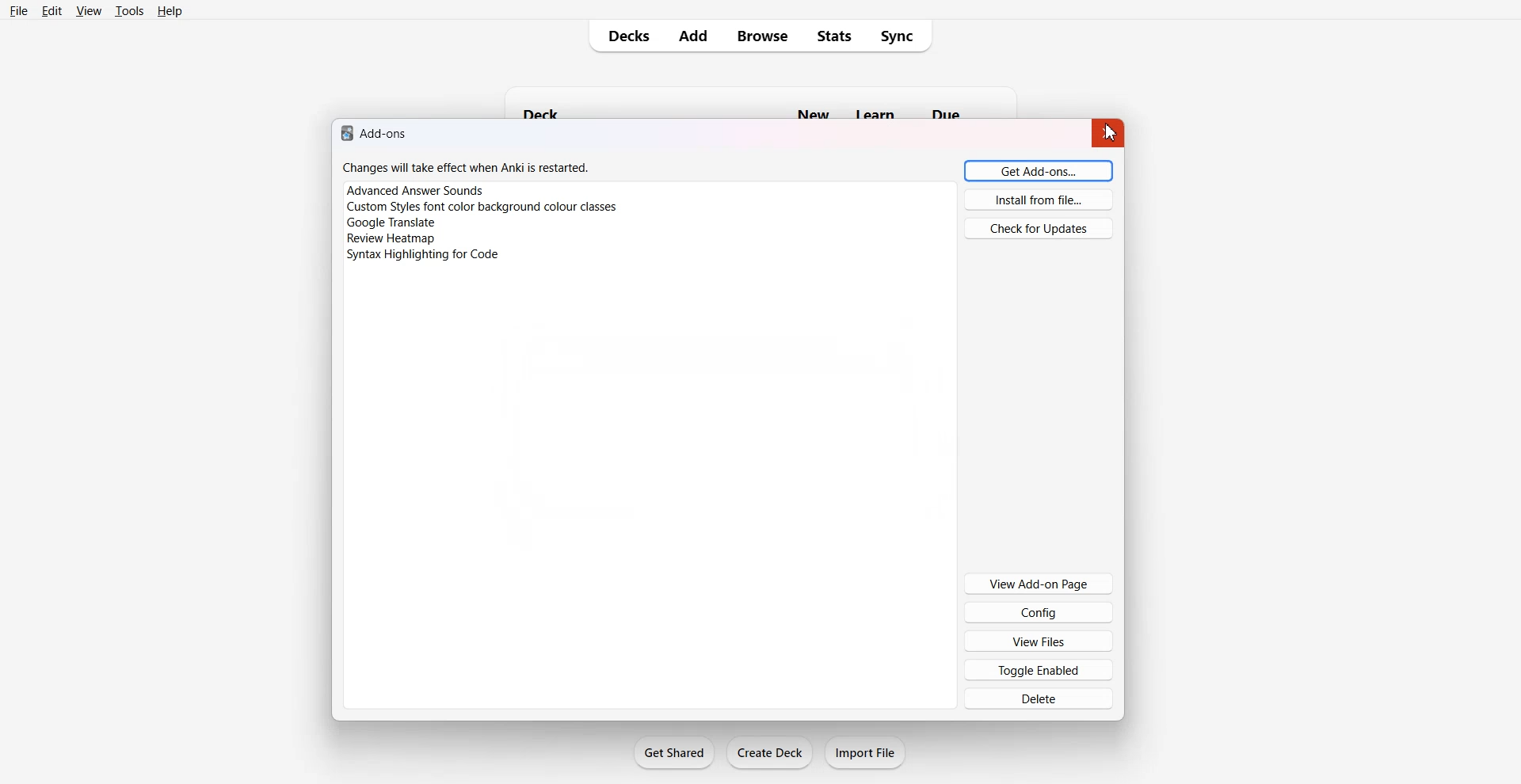 The width and height of the screenshot is (1521, 784). Describe the element at coordinates (51, 11) in the screenshot. I see `Edit` at that location.